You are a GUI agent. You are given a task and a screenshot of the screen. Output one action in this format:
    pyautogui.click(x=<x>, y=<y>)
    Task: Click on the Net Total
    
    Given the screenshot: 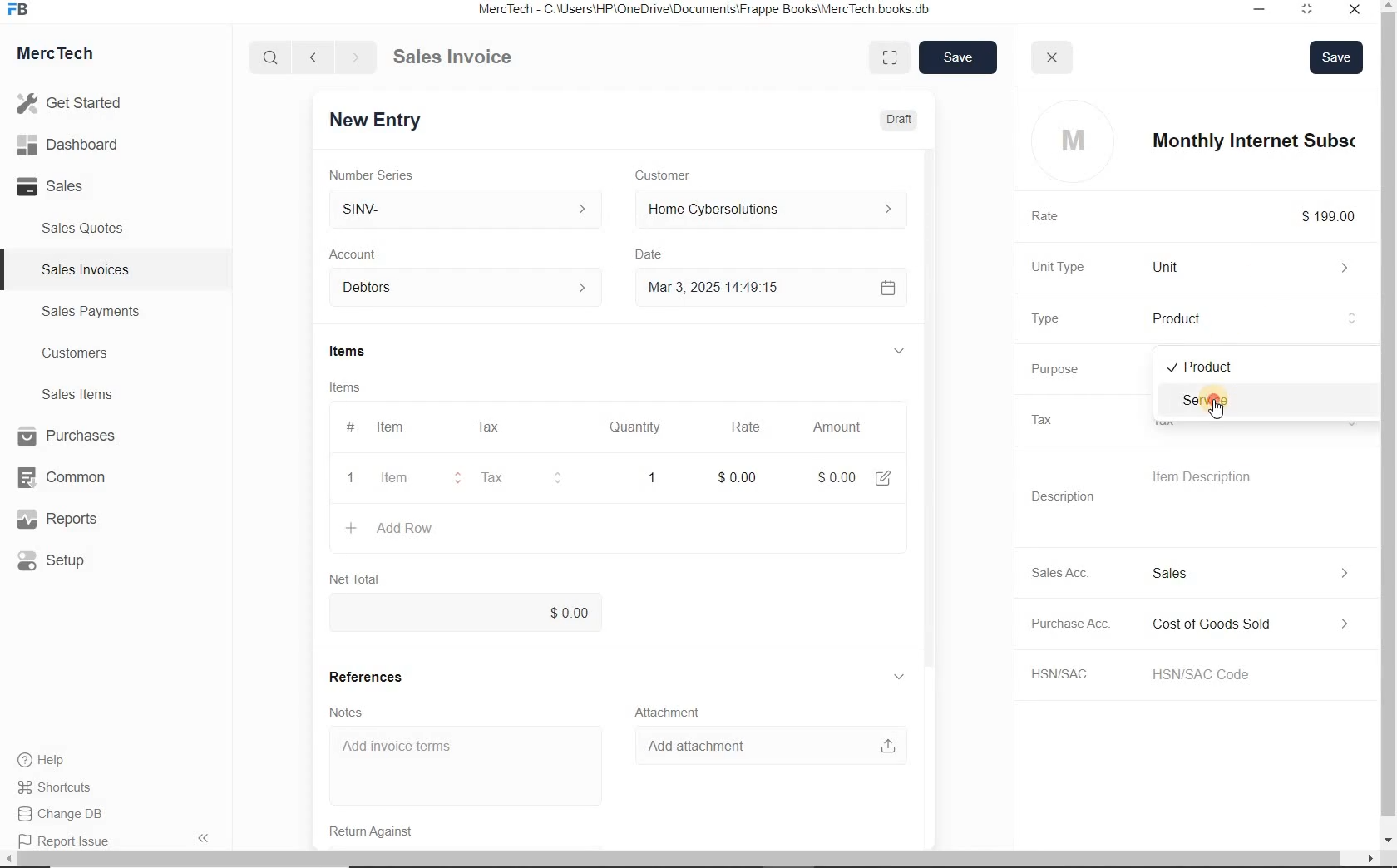 What is the action you would take?
    pyautogui.click(x=362, y=579)
    